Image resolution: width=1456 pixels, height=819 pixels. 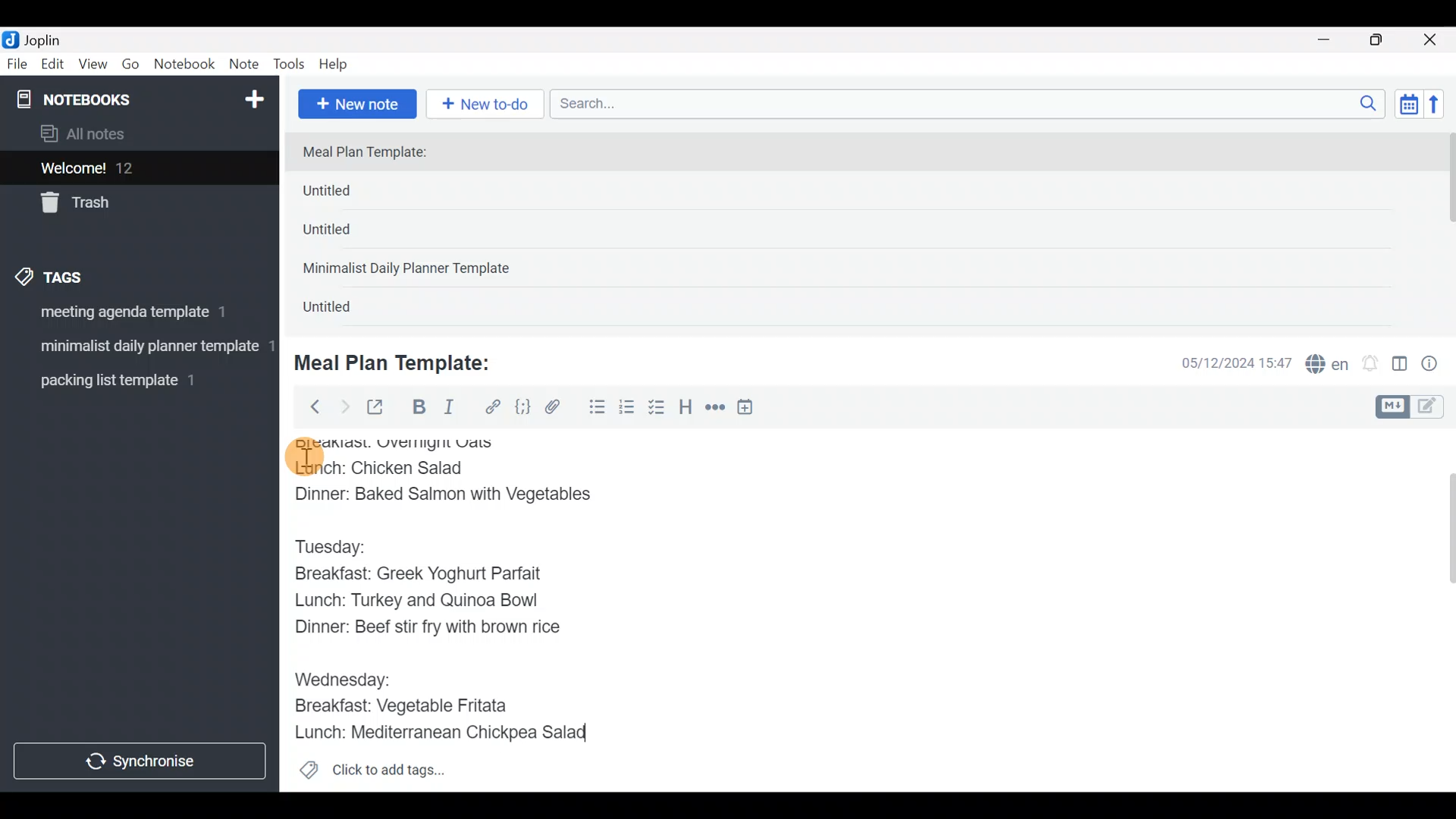 I want to click on Tuesday:, so click(x=337, y=545).